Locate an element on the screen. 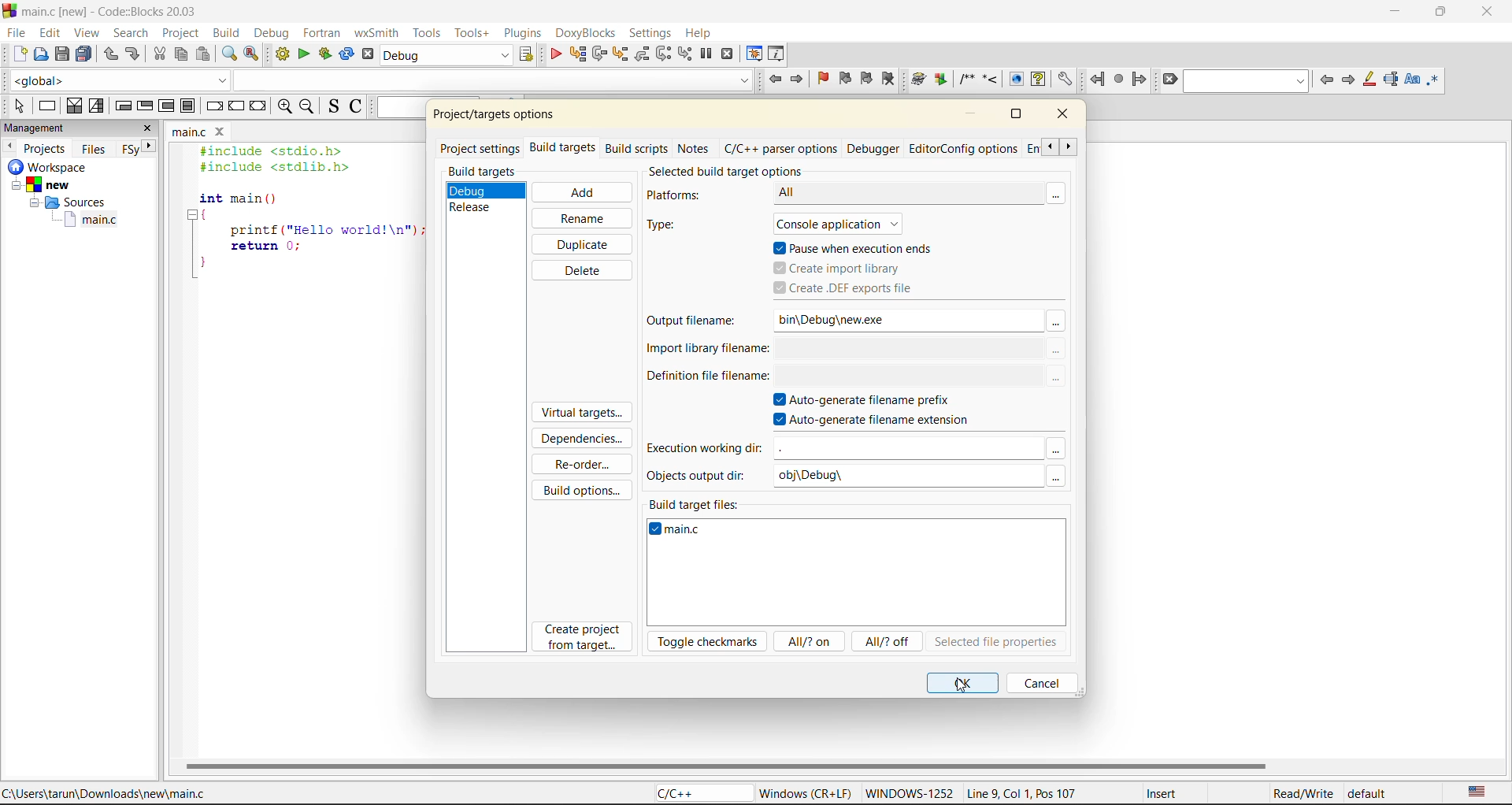  help is located at coordinates (703, 32).